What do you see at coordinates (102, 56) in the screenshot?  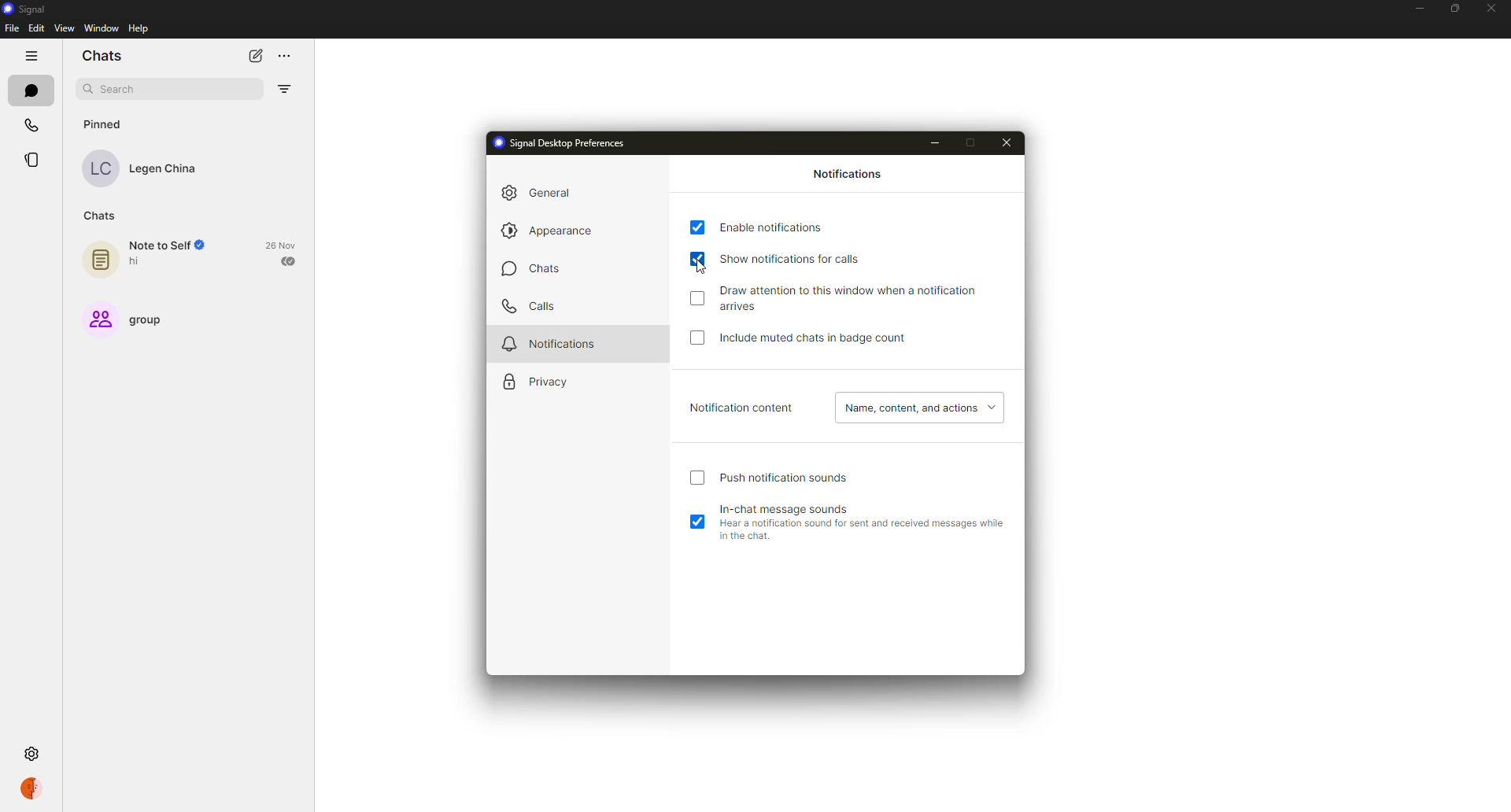 I see `chats` at bounding box center [102, 56].